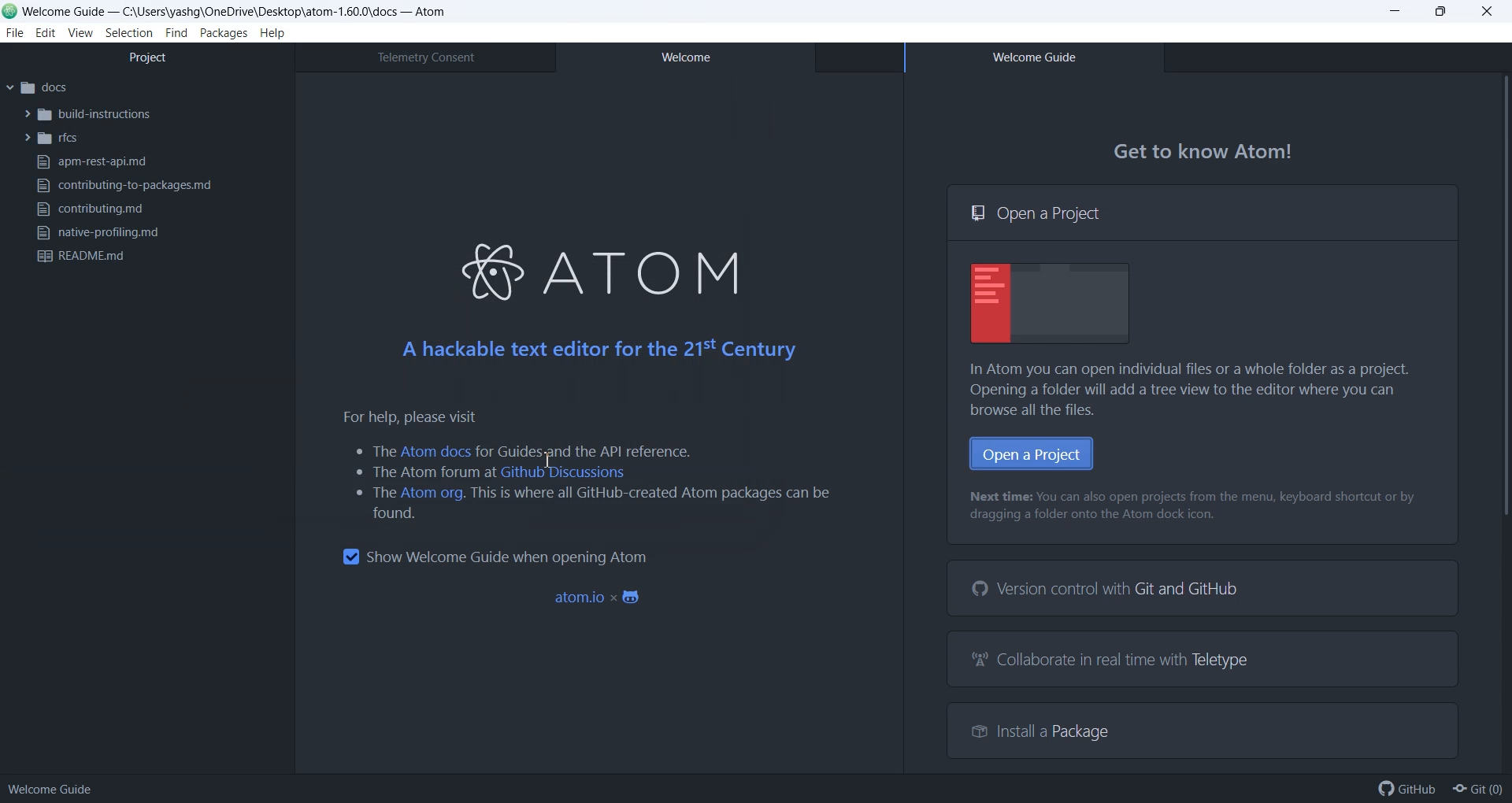 The height and width of the screenshot is (803, 1512). What do you see at coordinates (1032, 453) in the screenshot?
I see `Open Project` at bounding box center [1032, 453].